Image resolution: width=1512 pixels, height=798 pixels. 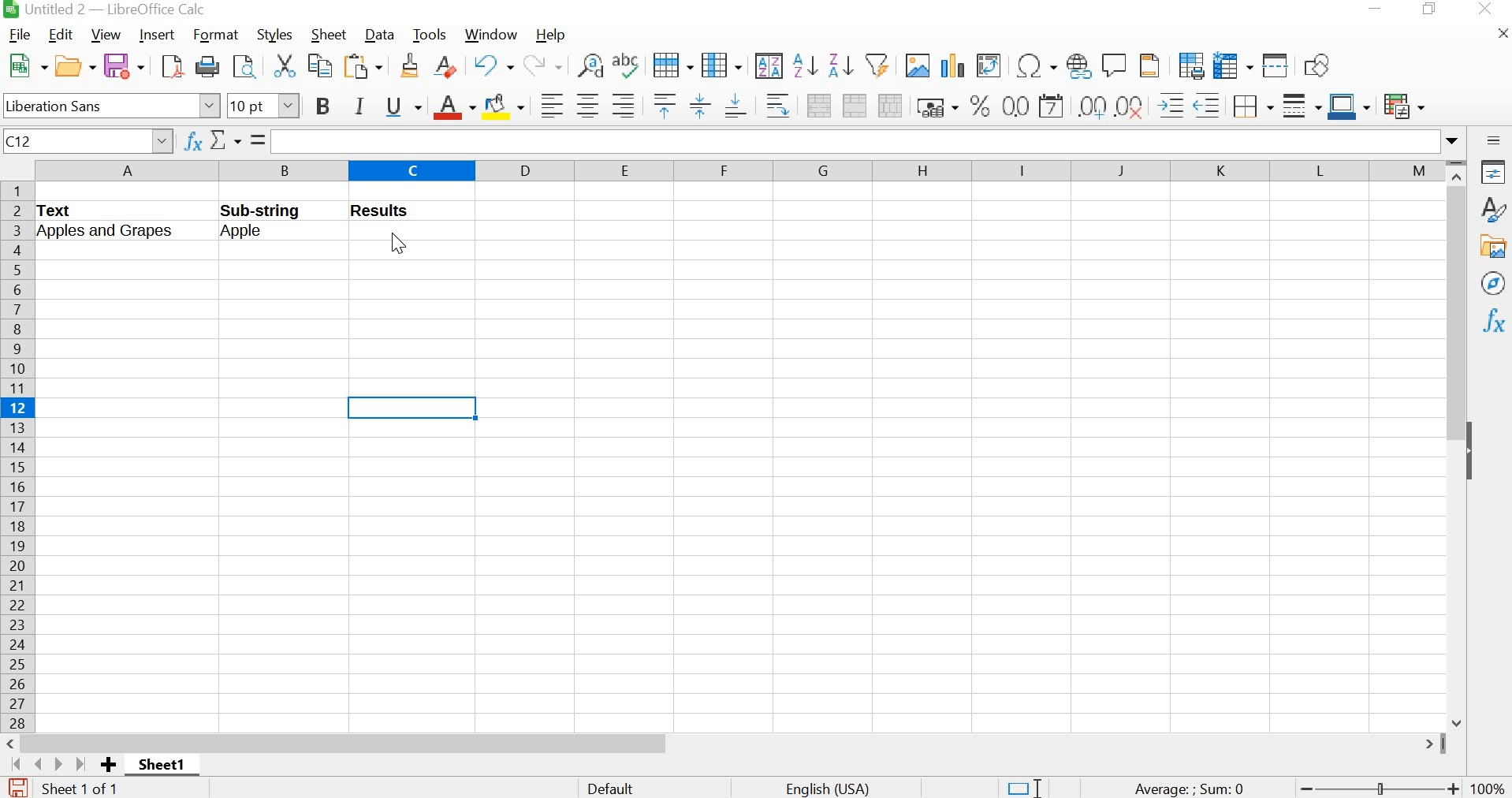 I want to click on file, so click(x=17, y=34).